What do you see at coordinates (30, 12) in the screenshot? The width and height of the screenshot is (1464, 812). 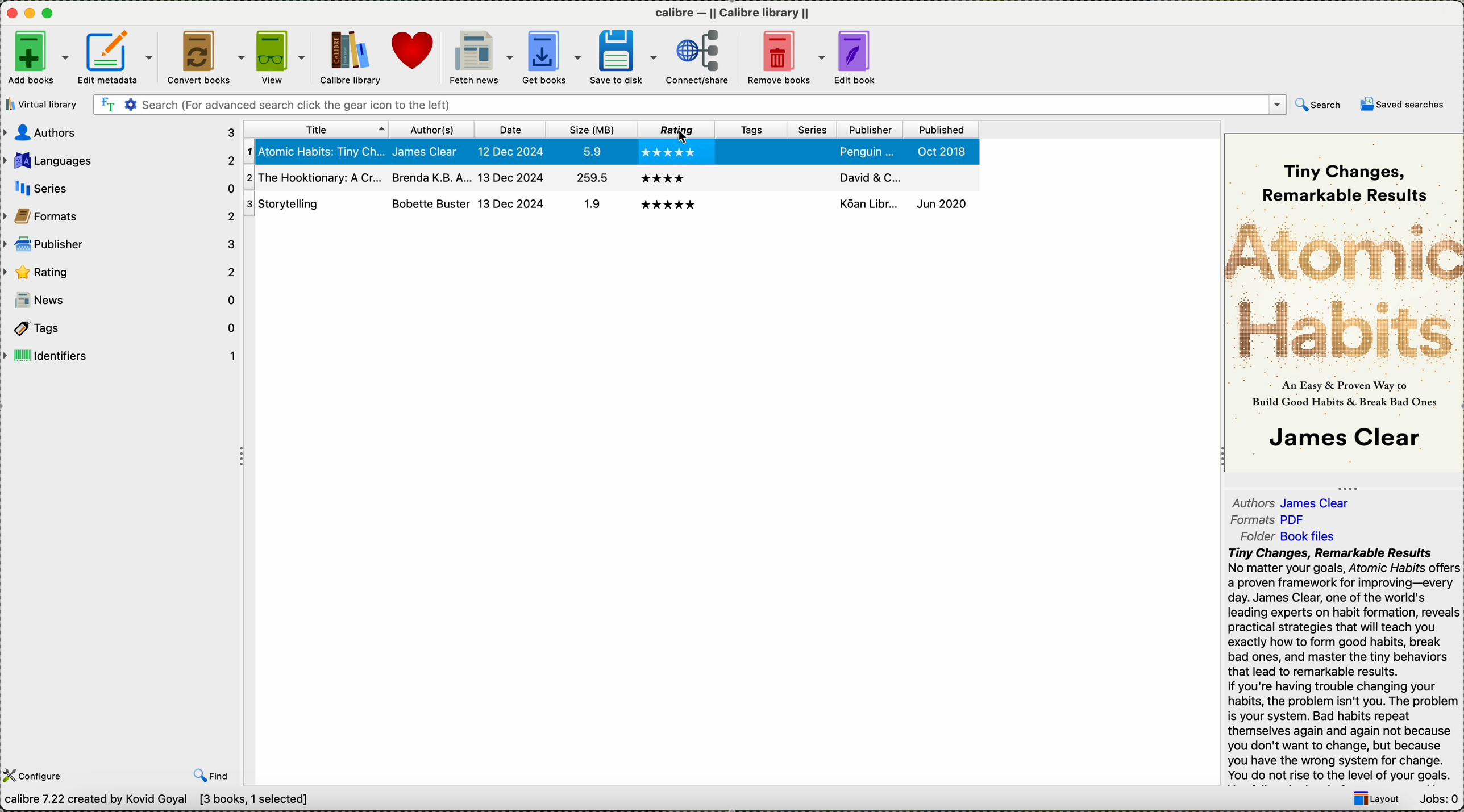 I see `minimize` at bounding box center [30, 12].